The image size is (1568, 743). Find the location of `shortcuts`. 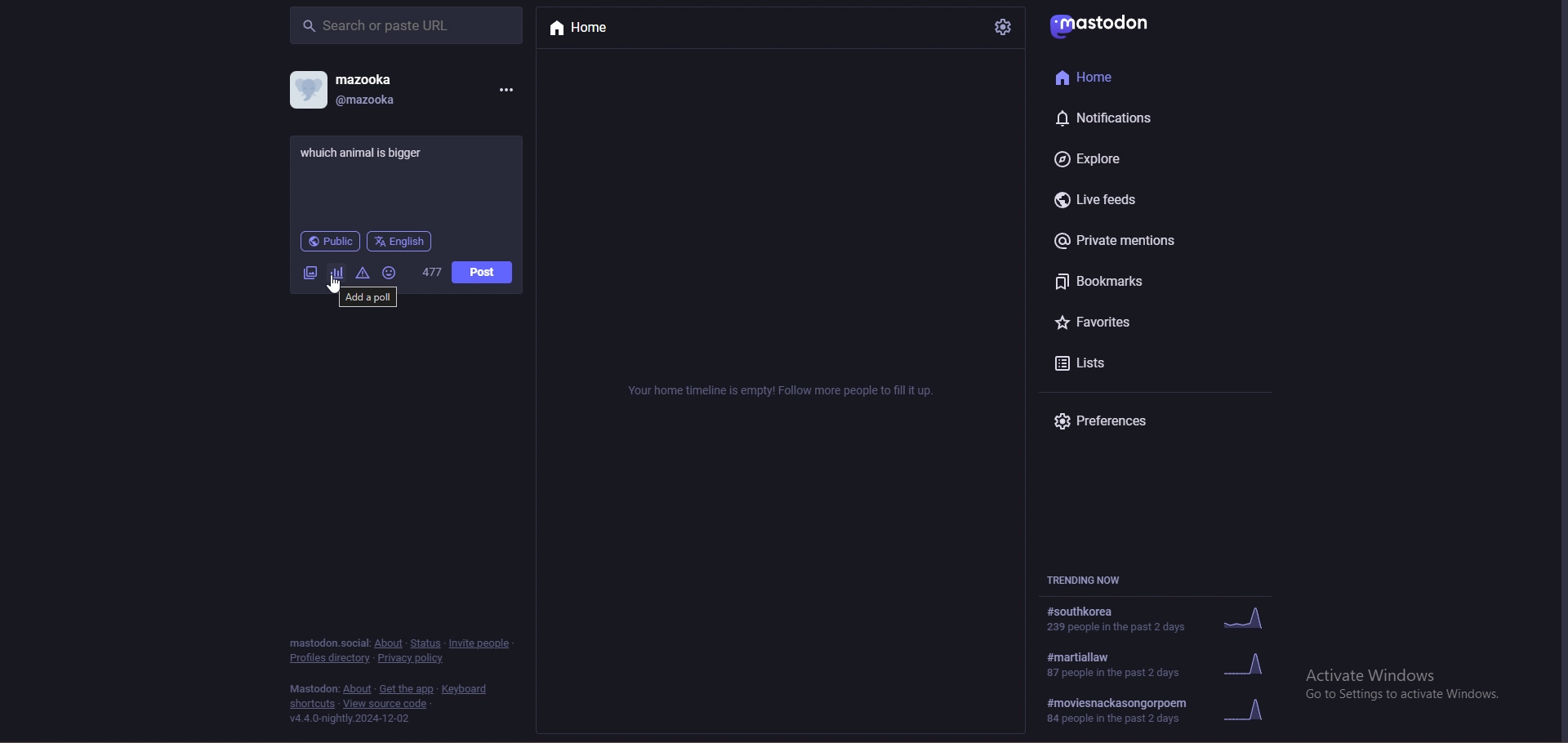

shortcuts is located at coordinates (313, 704).